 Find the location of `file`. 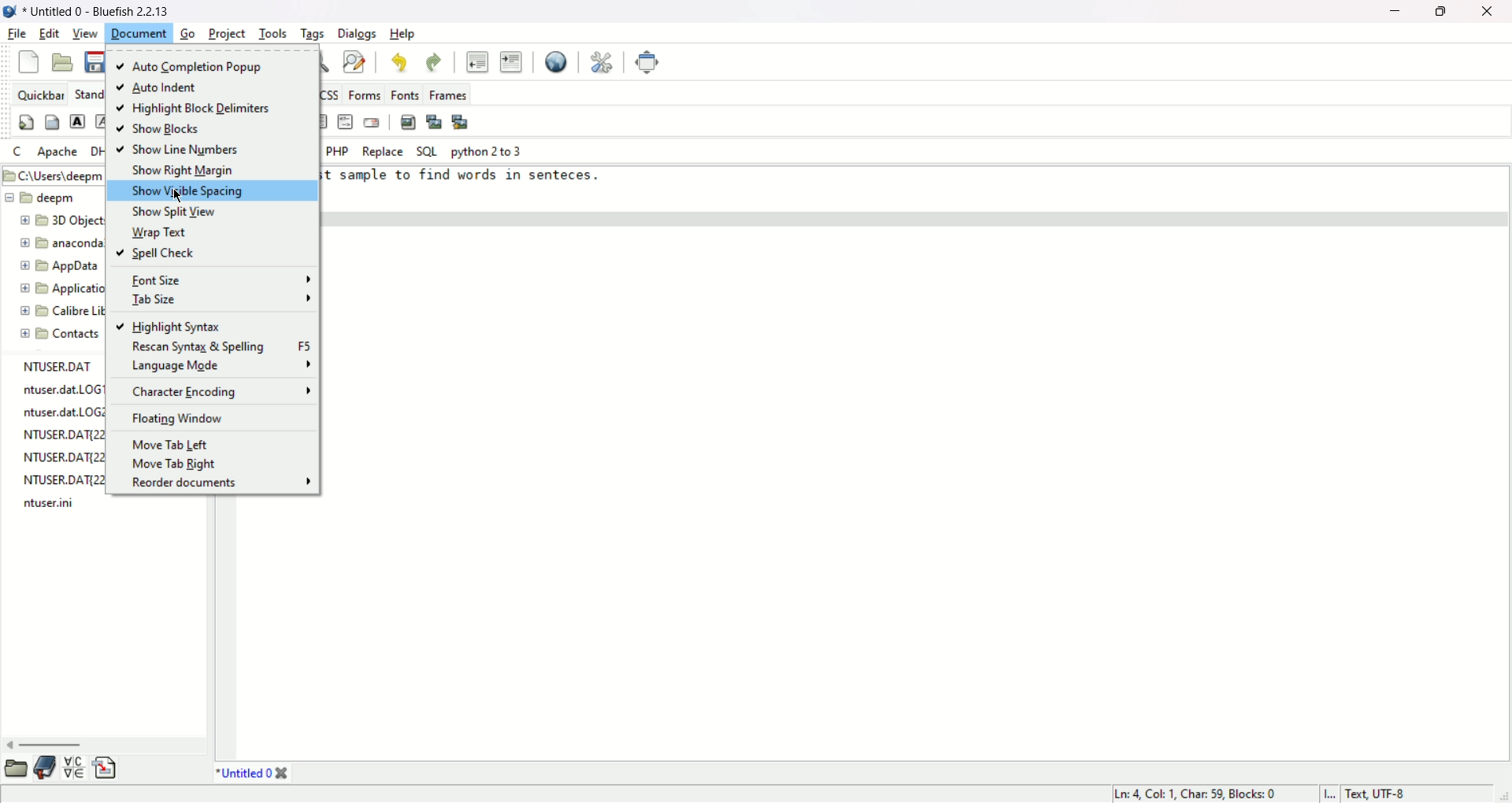

file is located at coordinates (15, 35).